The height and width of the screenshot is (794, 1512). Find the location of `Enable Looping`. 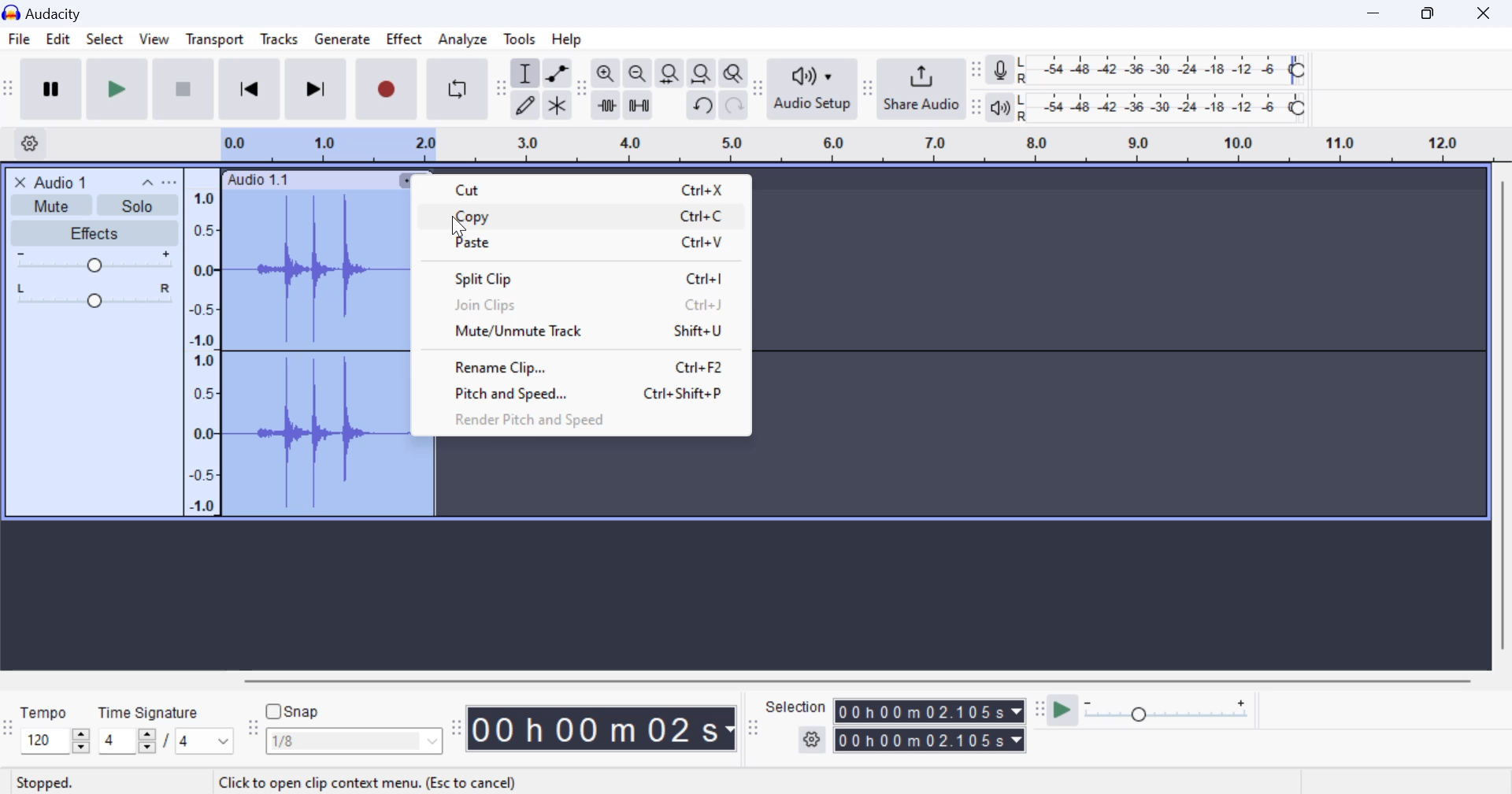

Enable Looping is located at coordinates (458, 89).